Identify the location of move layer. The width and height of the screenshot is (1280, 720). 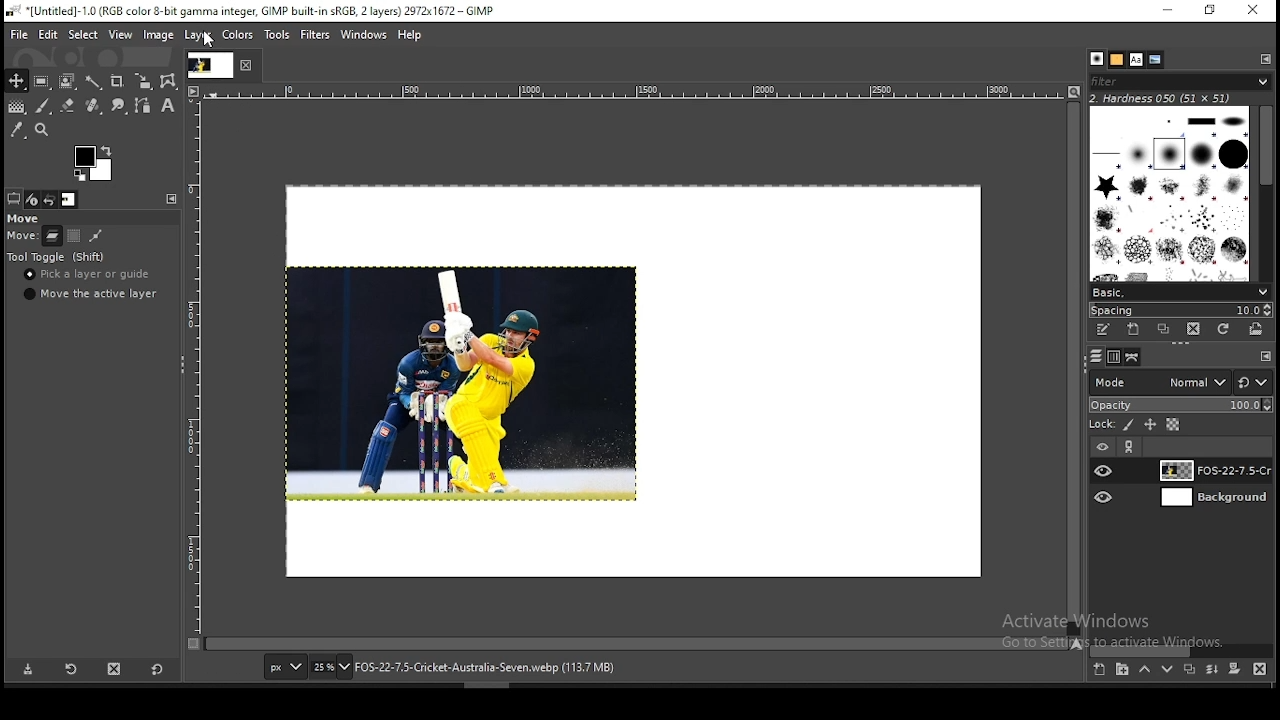
(52, 236).